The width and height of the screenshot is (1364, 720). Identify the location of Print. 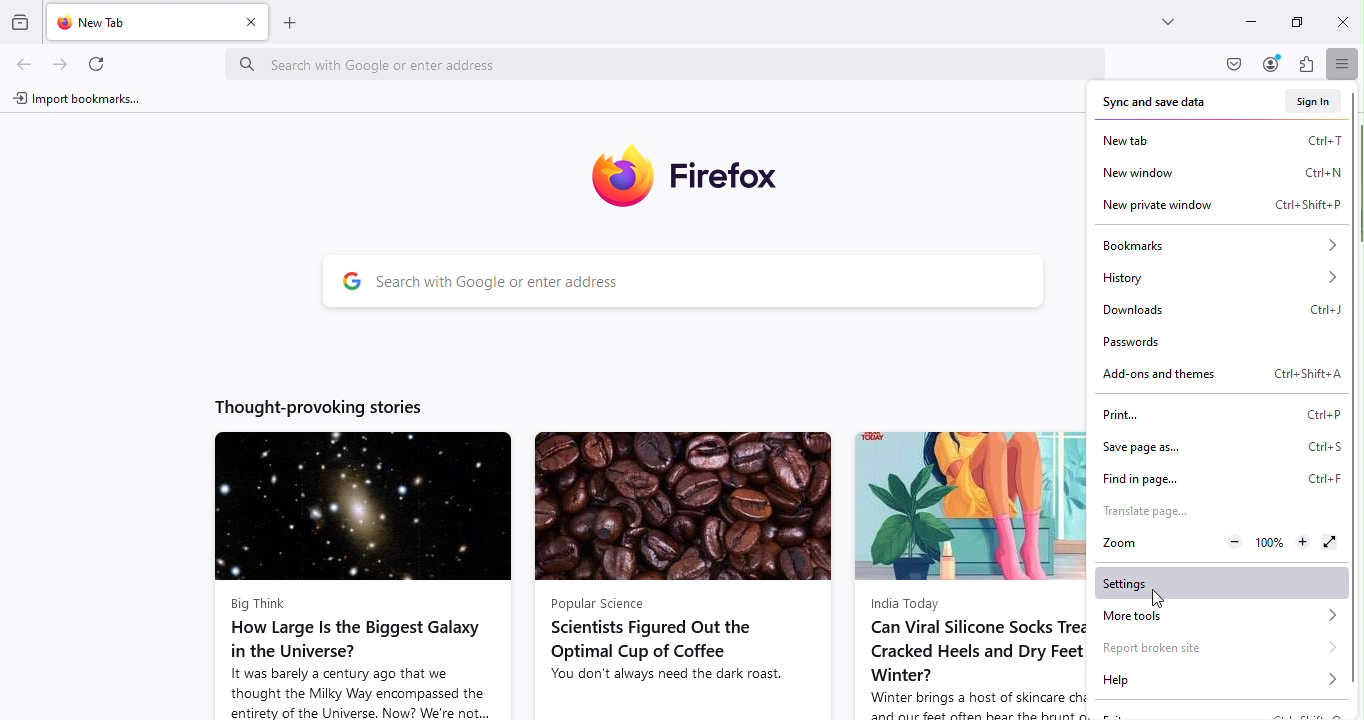
(1221, 413).